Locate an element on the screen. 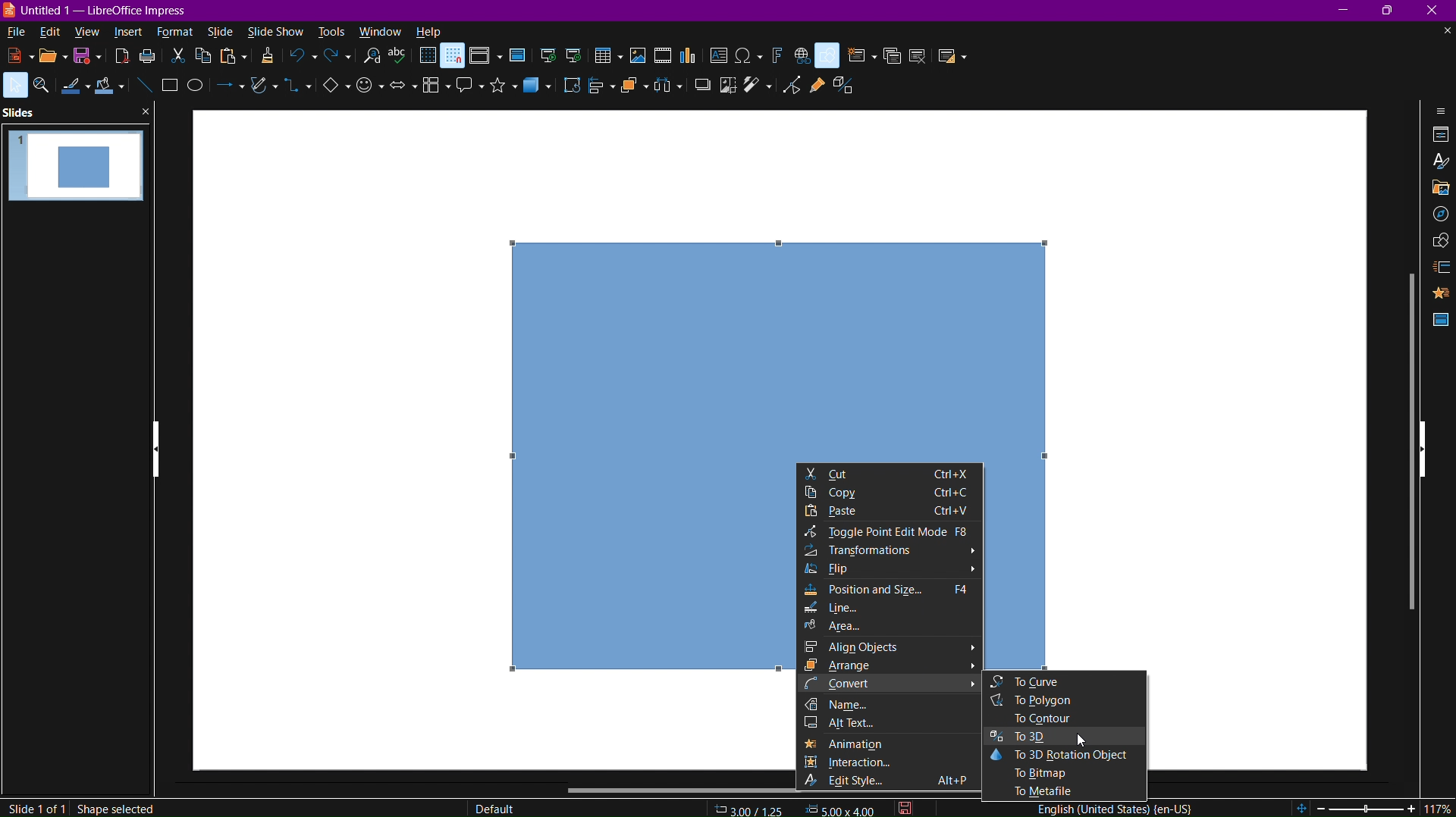 This screenshot has height=817, width=1456. slide is located at coordinates (221, 31).